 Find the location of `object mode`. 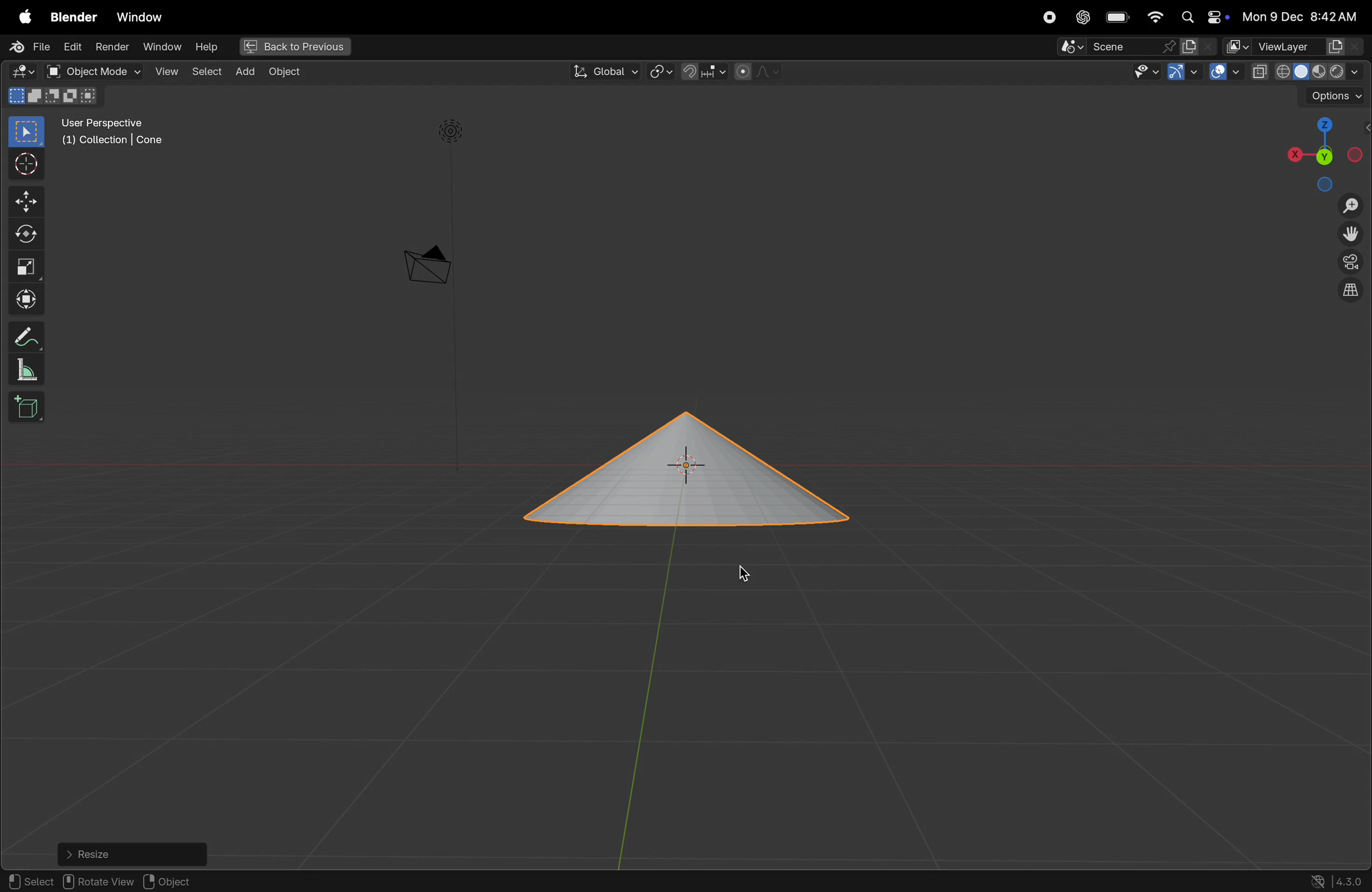

object mode is located at coordinates (93, 71).